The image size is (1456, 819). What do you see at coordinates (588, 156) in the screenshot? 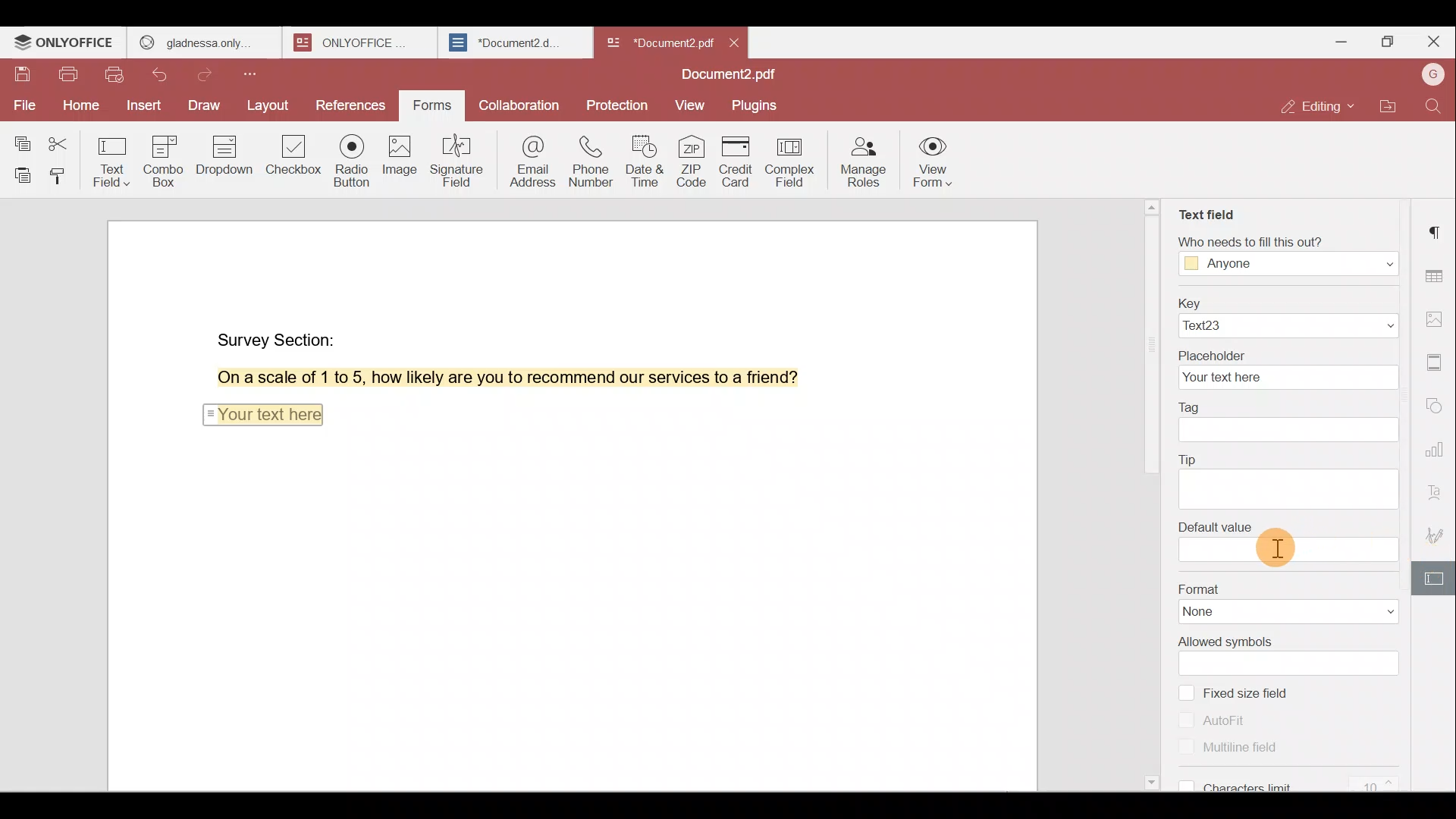
I see `Phone number` at bounding box center [588, 156].